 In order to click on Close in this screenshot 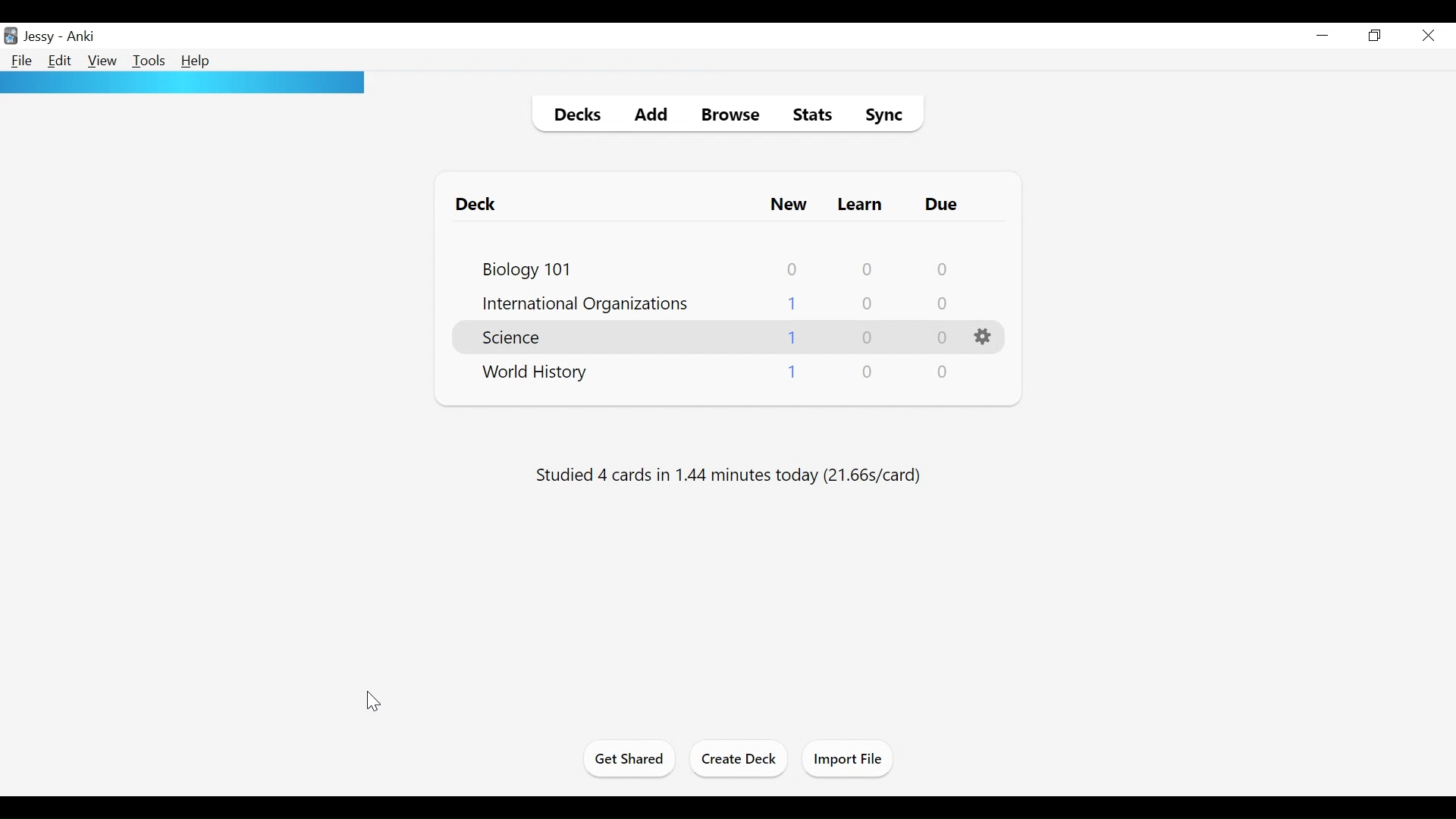, I will do `click(1428, 36)`.